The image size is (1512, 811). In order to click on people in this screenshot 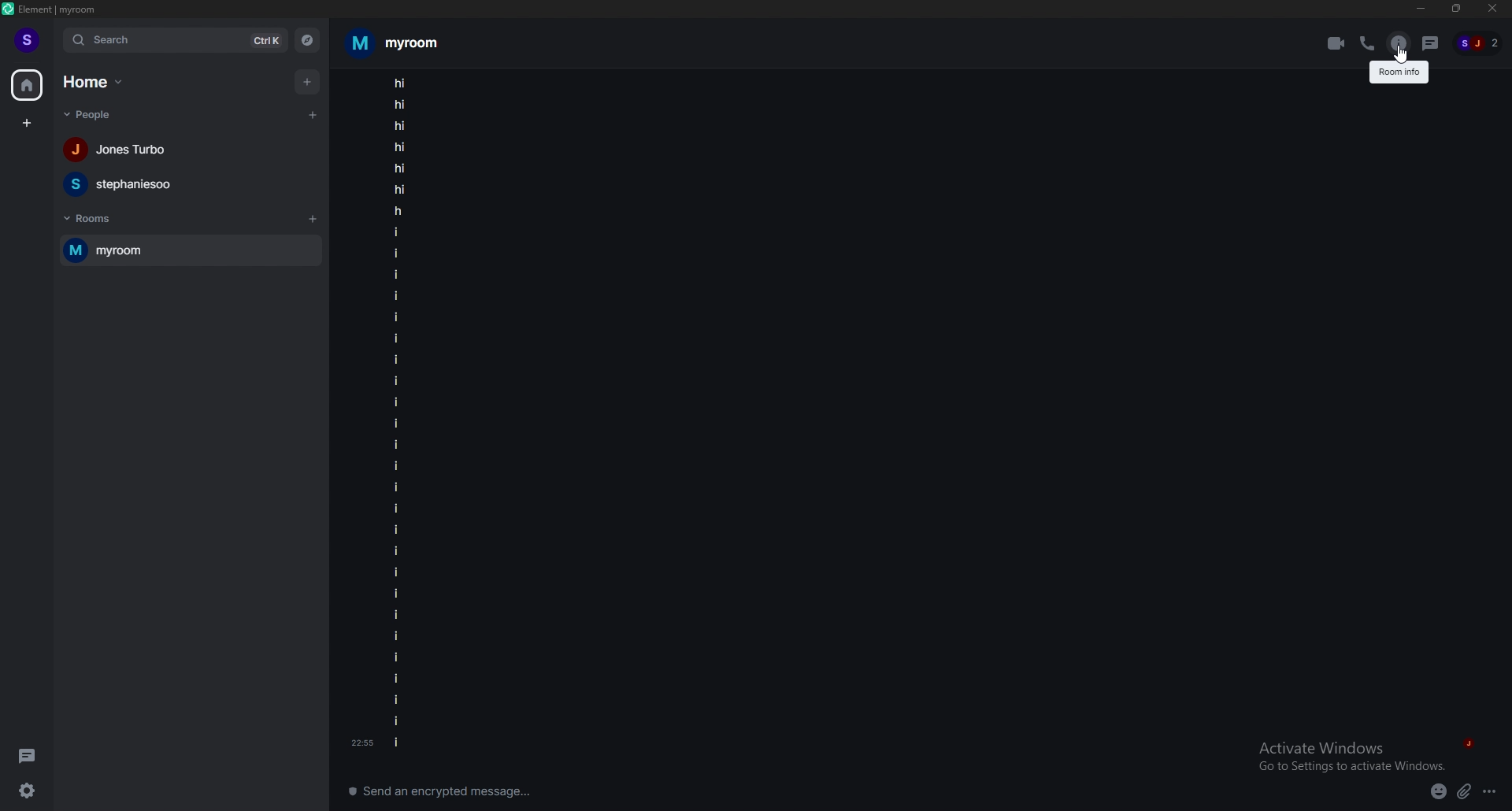, I will do `click(1480, 44)`.